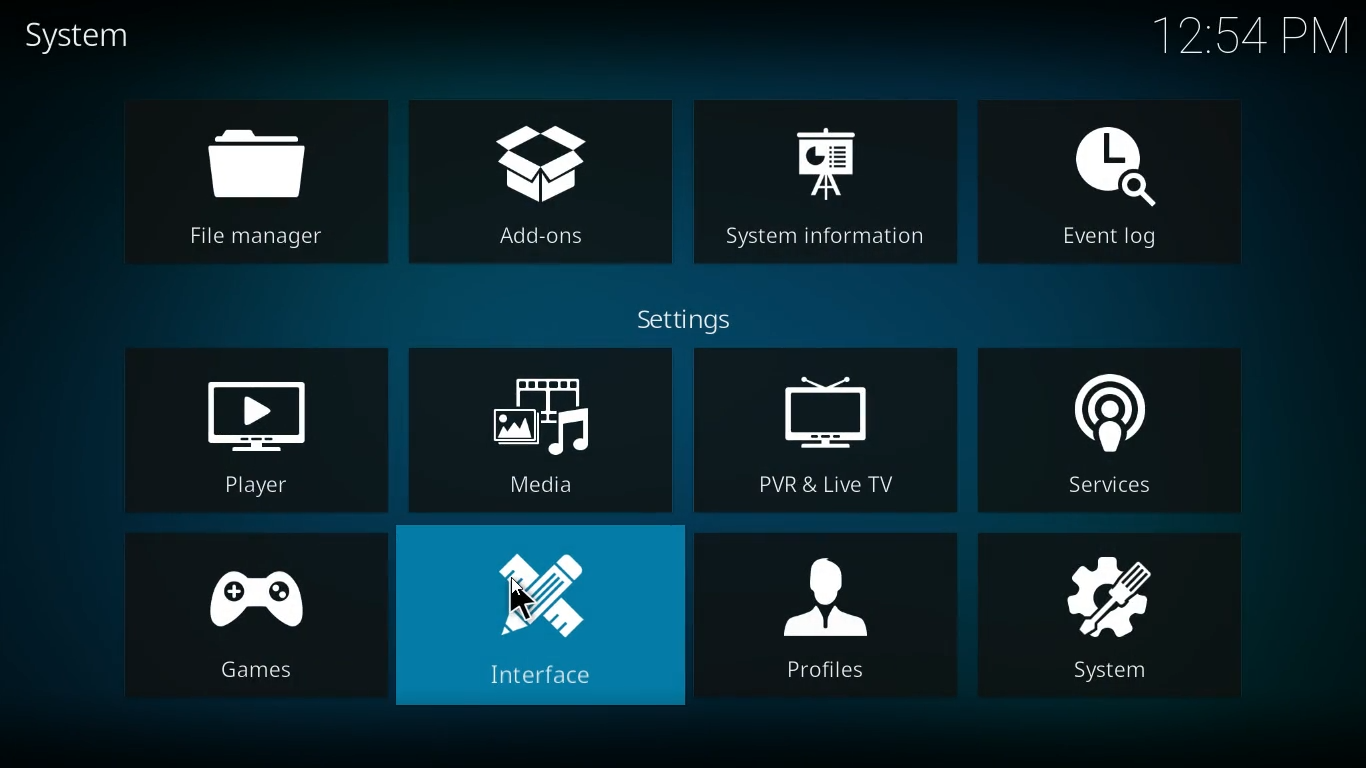 Image resolution: width=1366 pixels, height=768 pixels. What do you see at coordinates (541, 431) in the screenshot?
I see `media` at bounding box center [541, 431].